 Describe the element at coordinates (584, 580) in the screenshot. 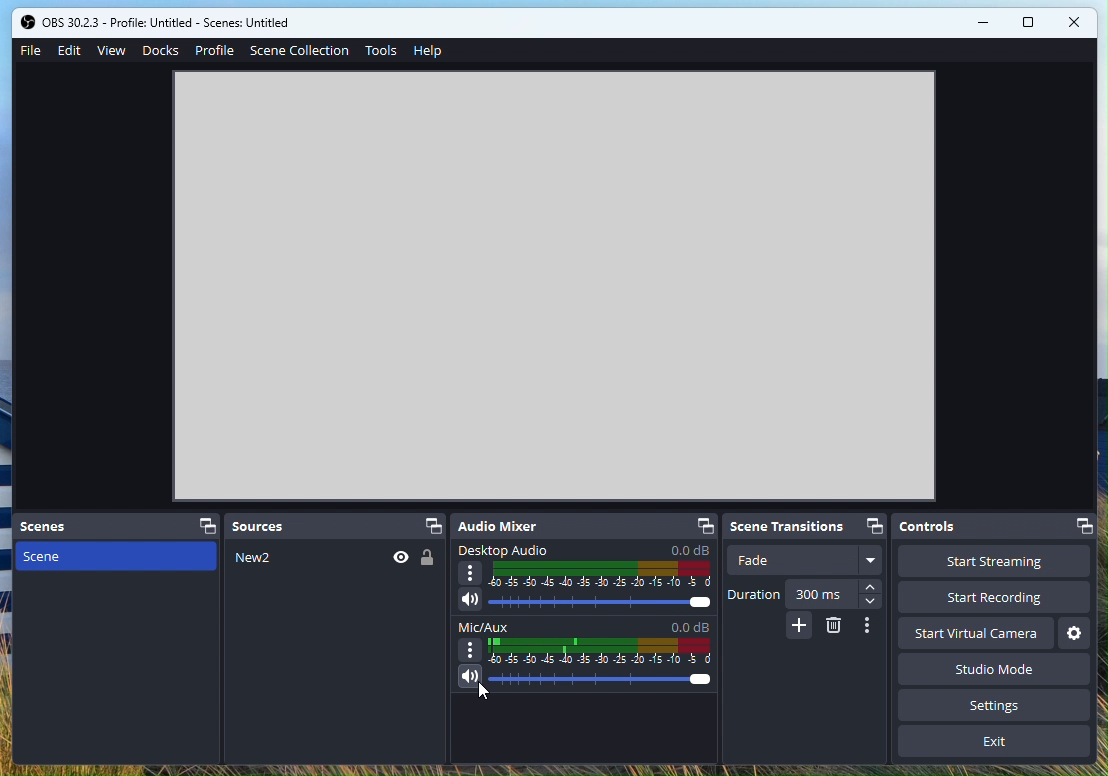

I see `Desktop Audio settings` at that location.